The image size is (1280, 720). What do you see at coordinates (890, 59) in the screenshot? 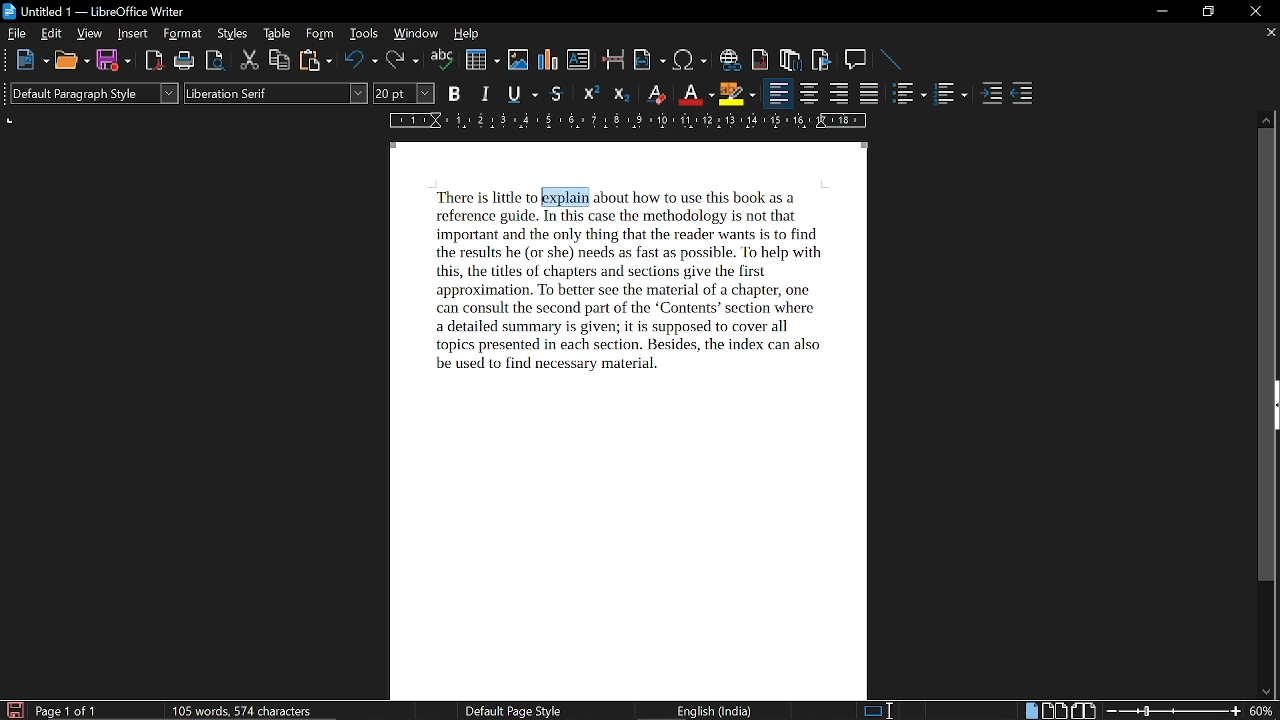
I see `line` at bounding box center [890, 59].